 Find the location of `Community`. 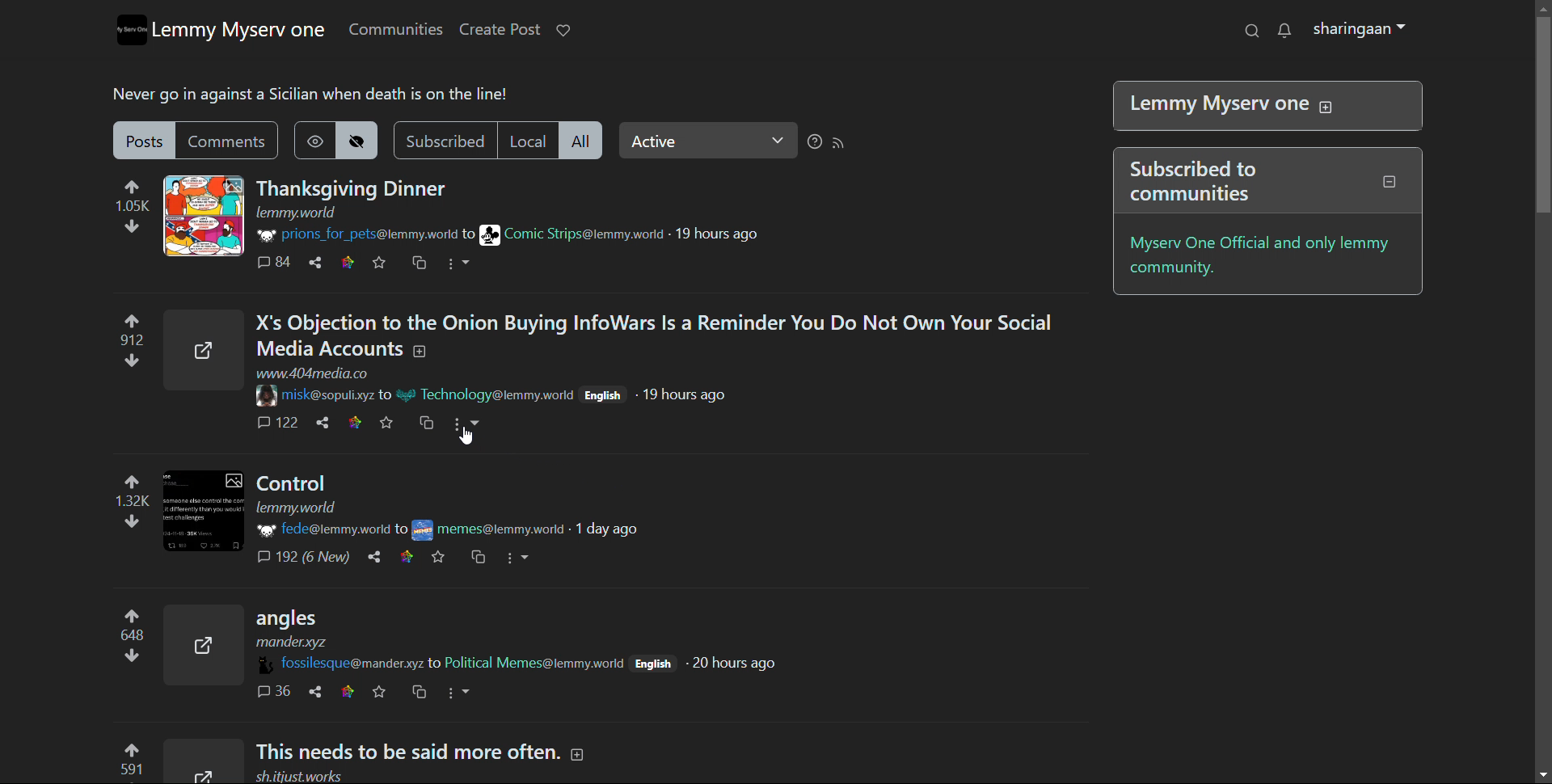

Community is located at coordinates (497, 397).